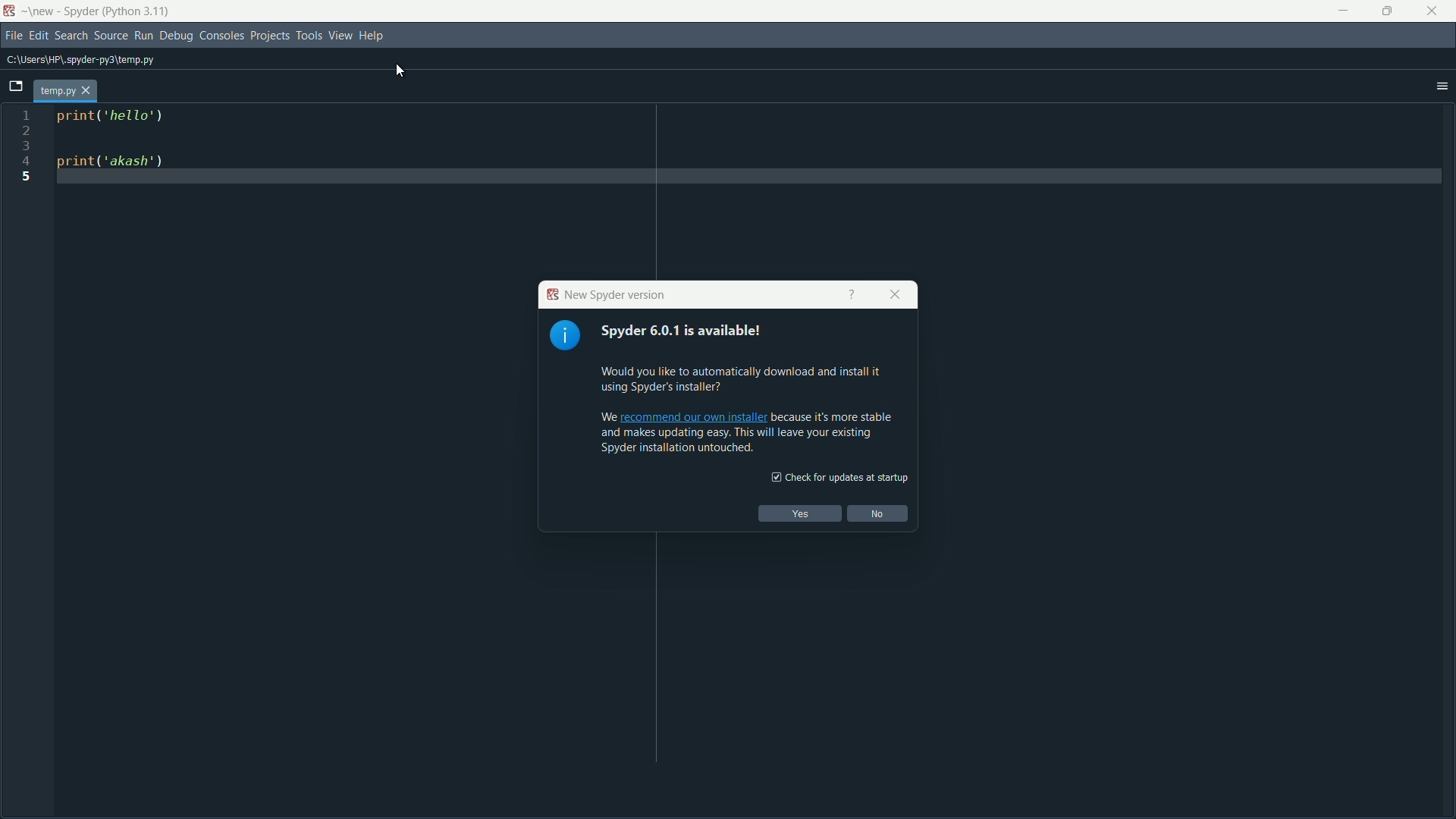  Describe the element at coordinates (402, 70) in the screenshot. I see `cursor` at that location.